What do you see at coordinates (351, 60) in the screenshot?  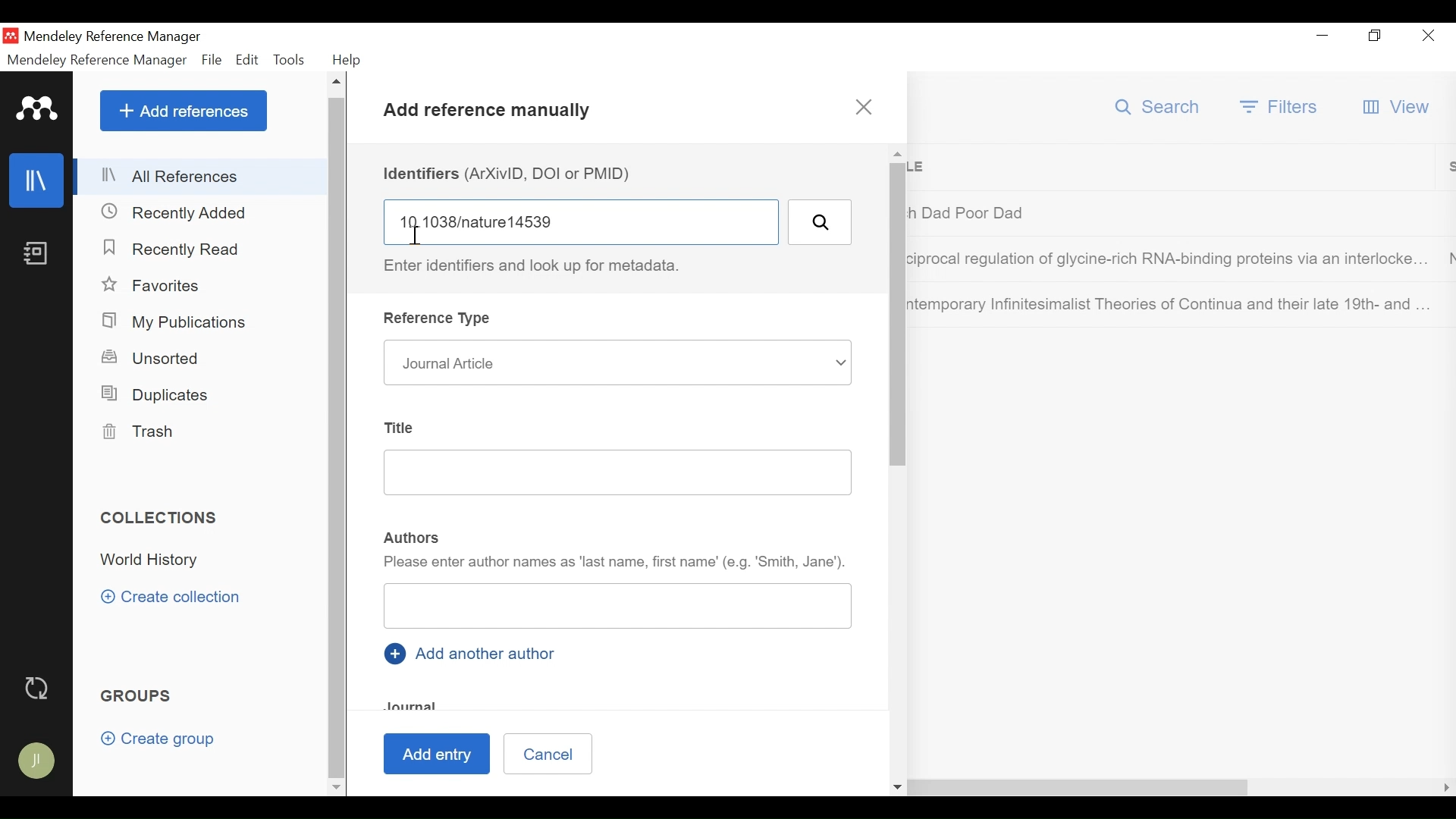 I see `Help` at bounding box center [351, 60].